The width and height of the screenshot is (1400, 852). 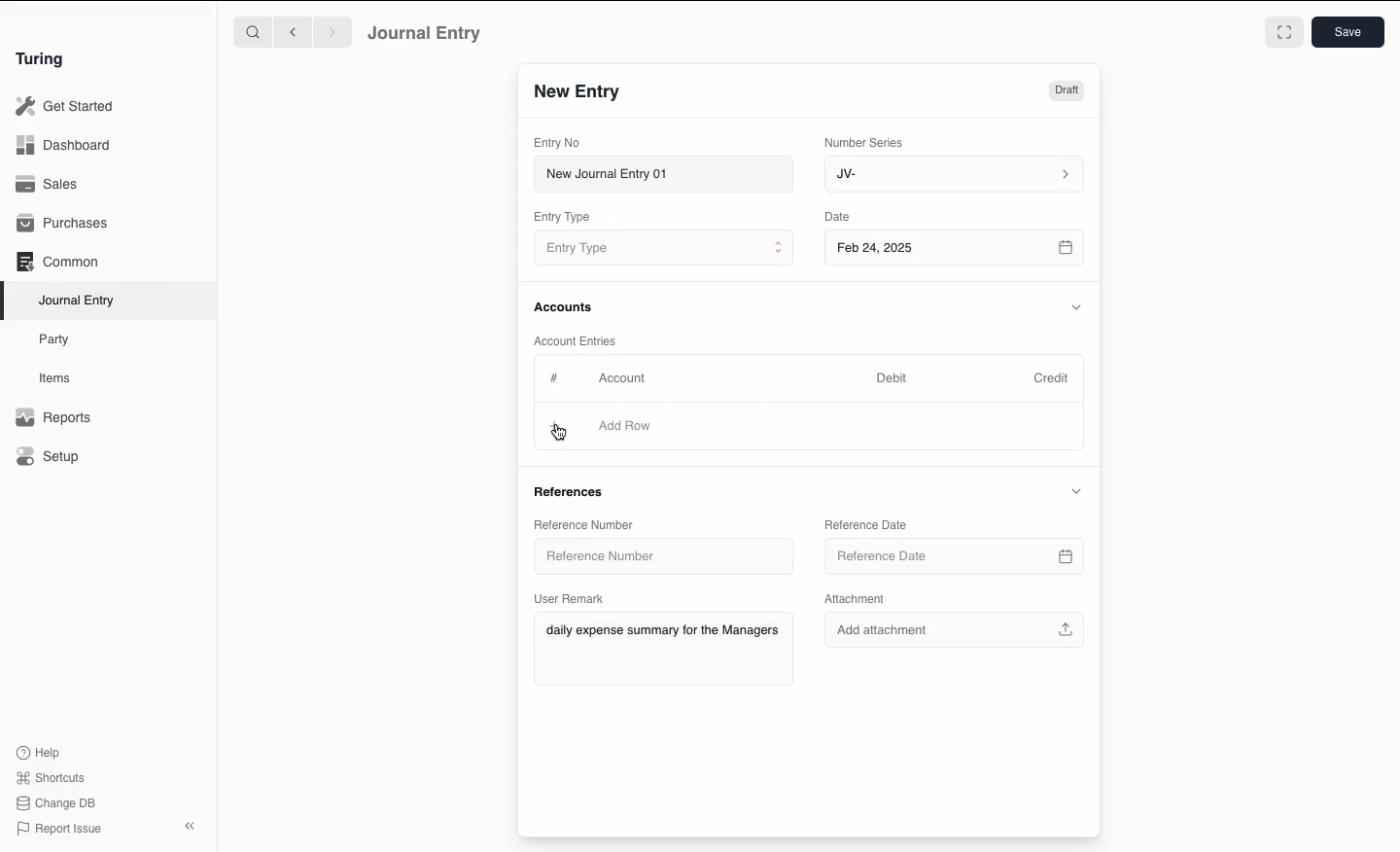 I want to click on Reference Date, so click(x=865, y=525).